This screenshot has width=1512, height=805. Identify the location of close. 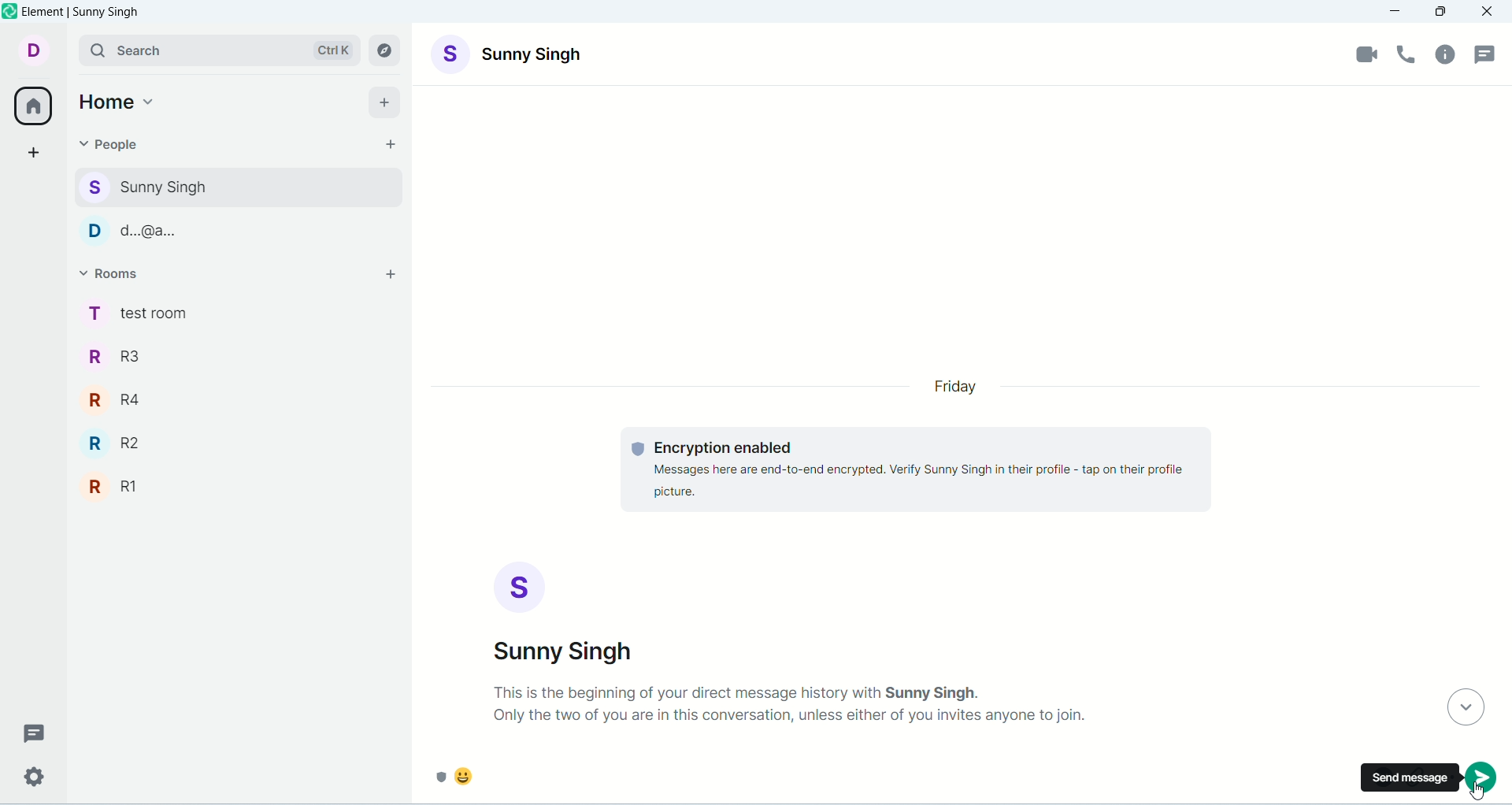
(1489, 12).